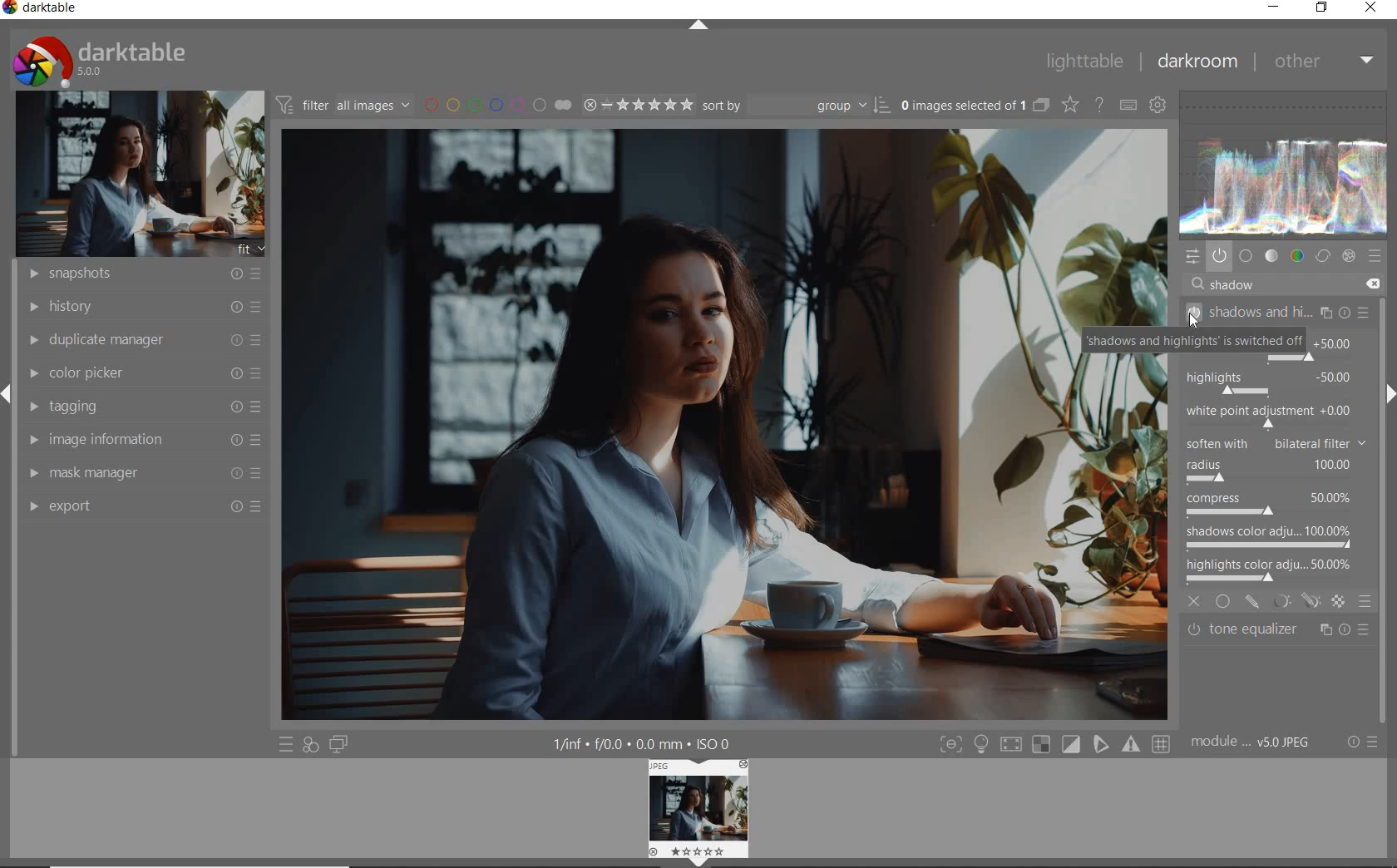 This screenshot has width=1397, height=868. I want to click on soften with bilateral filter, so click(1275, 441).